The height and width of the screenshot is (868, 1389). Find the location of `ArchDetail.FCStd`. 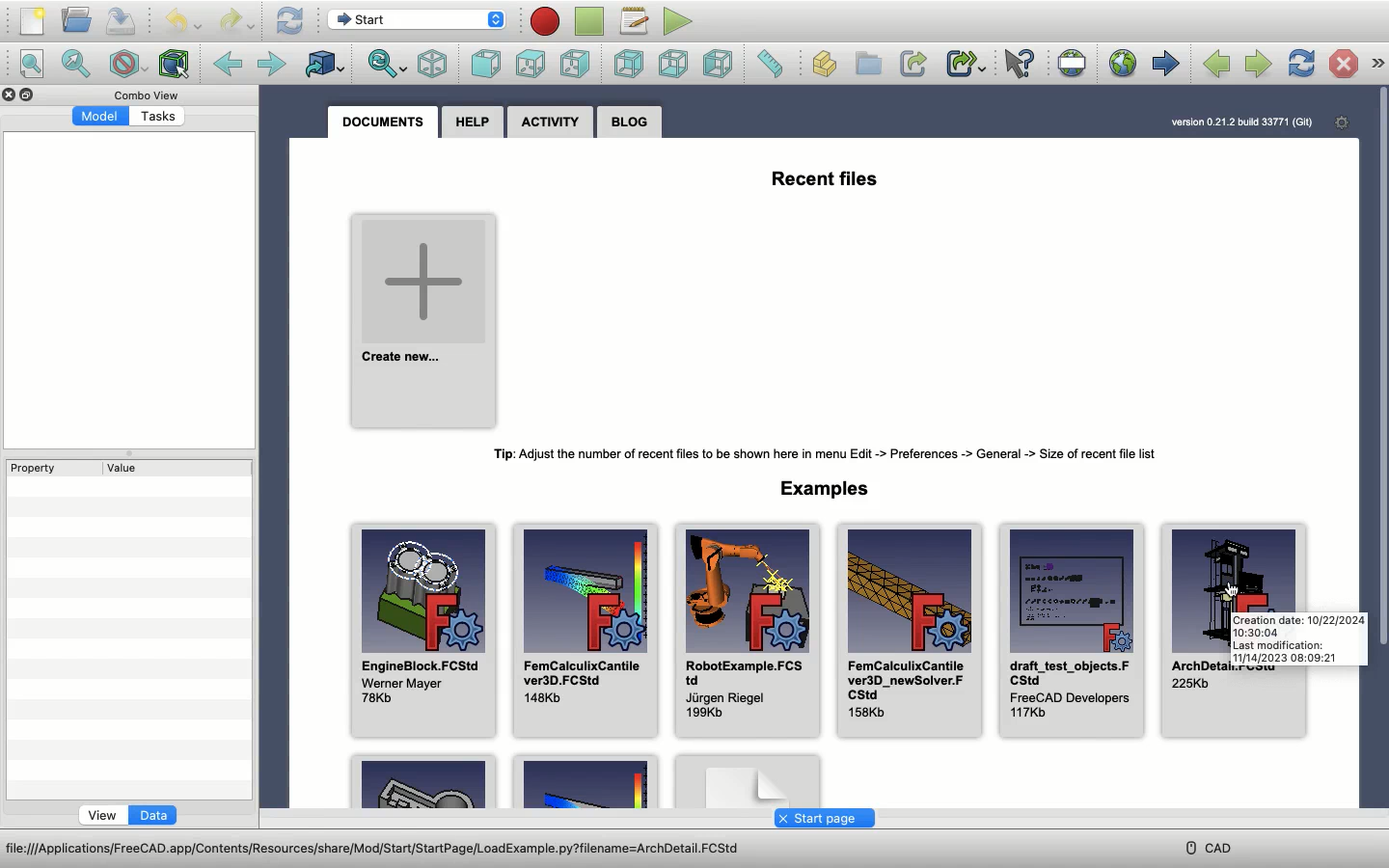

ArchDetail.FCStd is located at coordinates (1234, 565).